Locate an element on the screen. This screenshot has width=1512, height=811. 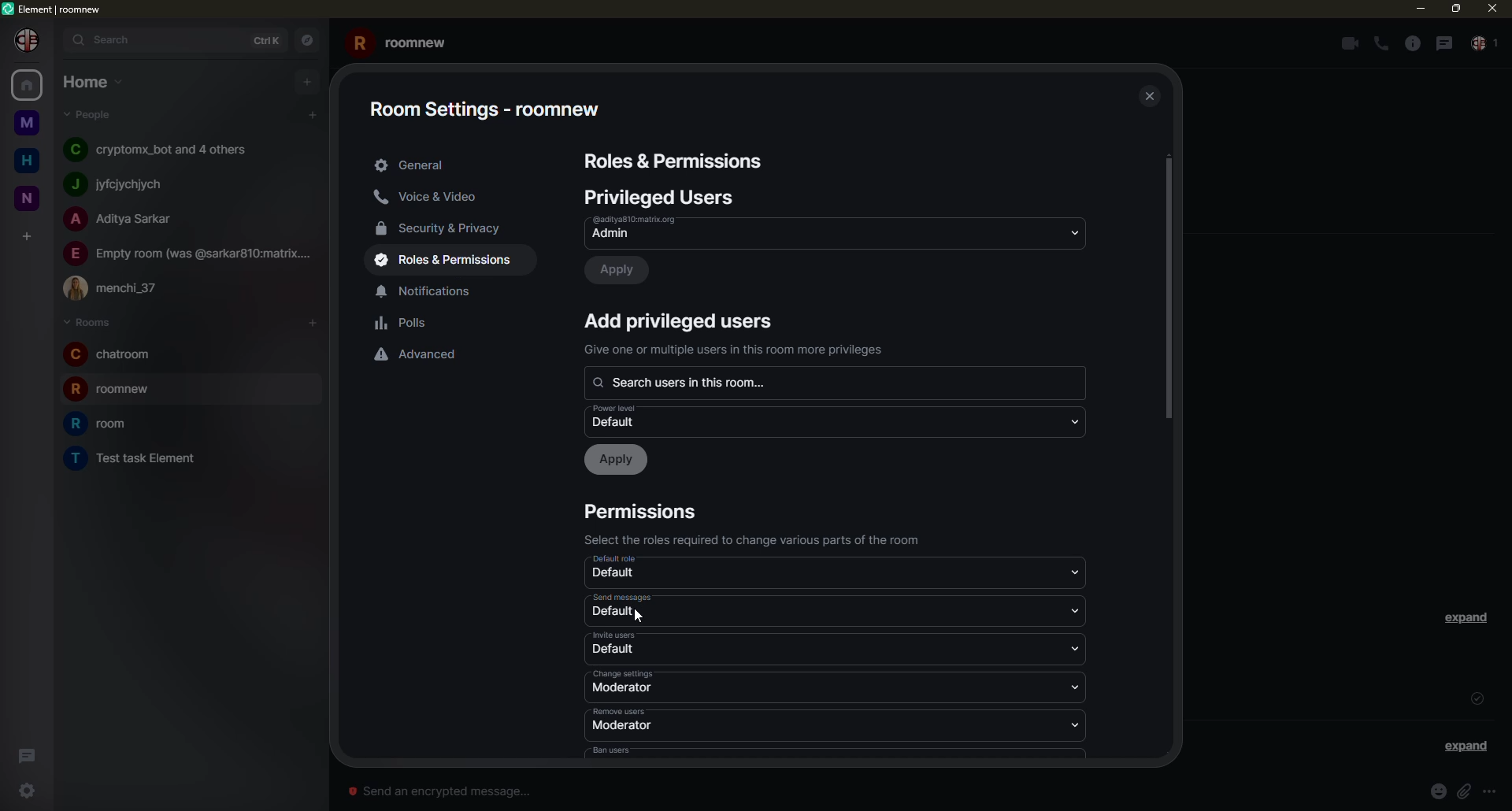
expand is located at coordinates (1469, 617).